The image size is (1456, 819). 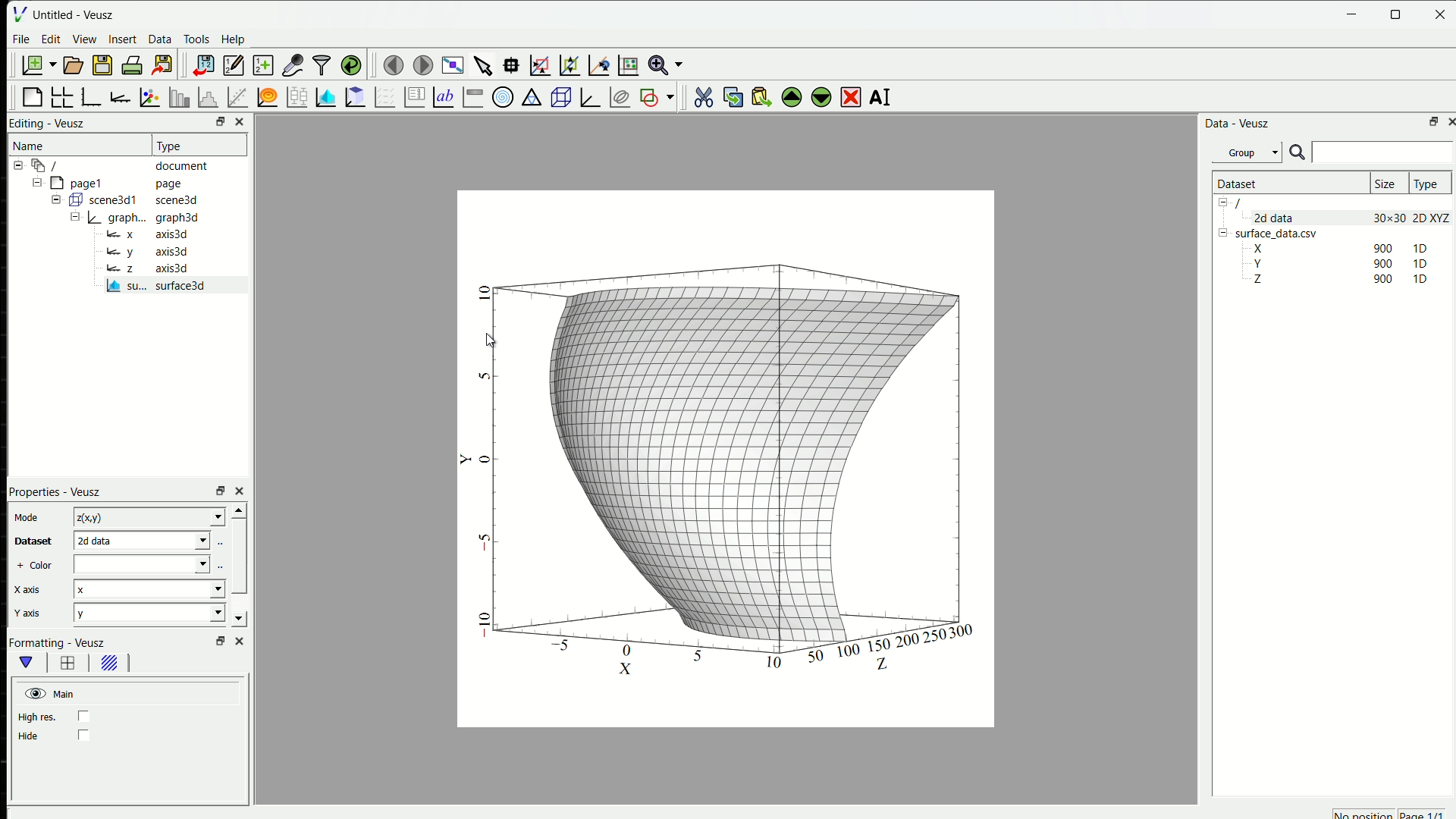 What do you see at coordinates (33, 96) in the screenshot?
I see `blank page` at bounding box center [33, 96].